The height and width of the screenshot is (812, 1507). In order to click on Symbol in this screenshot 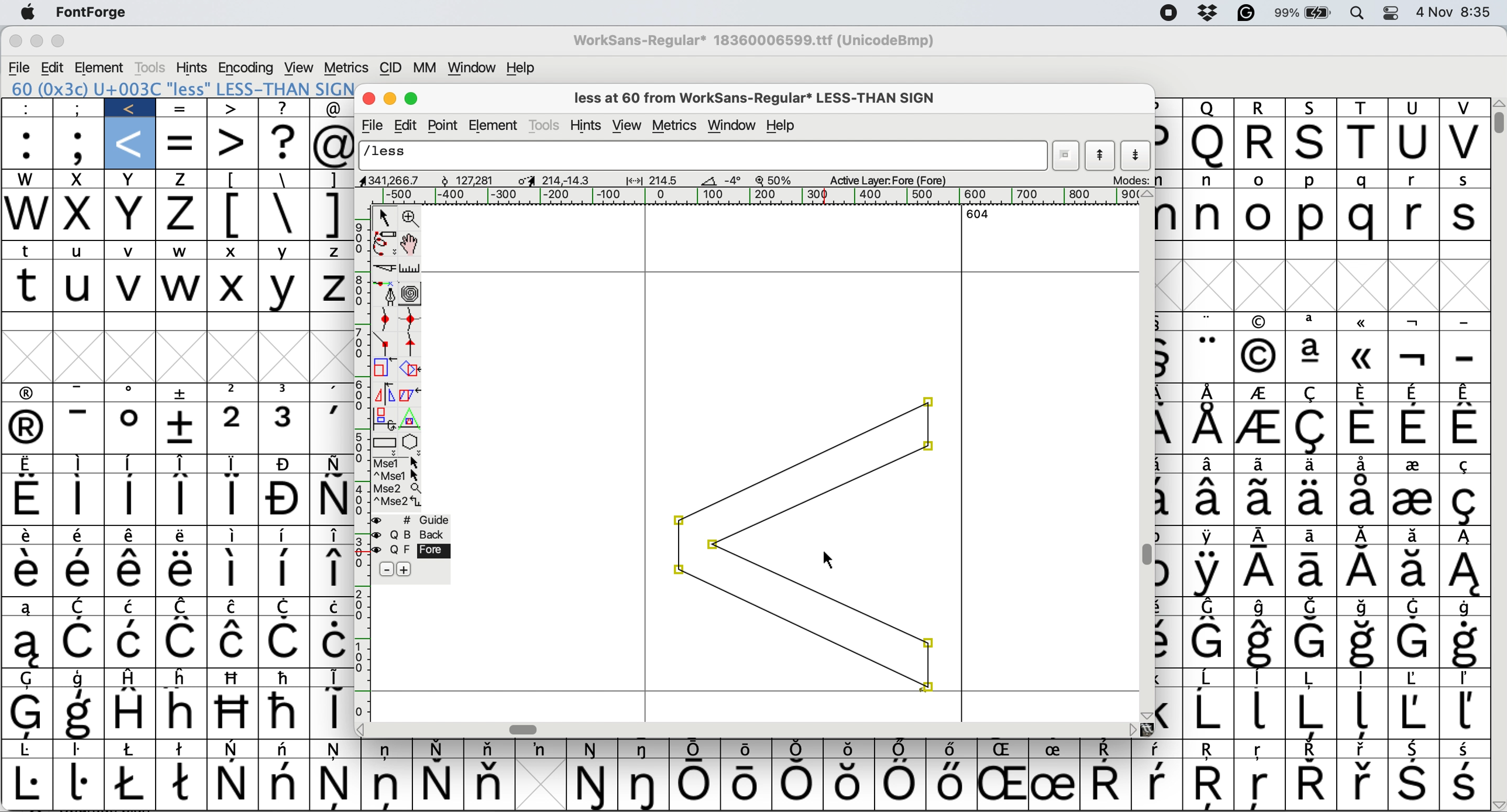, I will do `click(1208, 751)`.